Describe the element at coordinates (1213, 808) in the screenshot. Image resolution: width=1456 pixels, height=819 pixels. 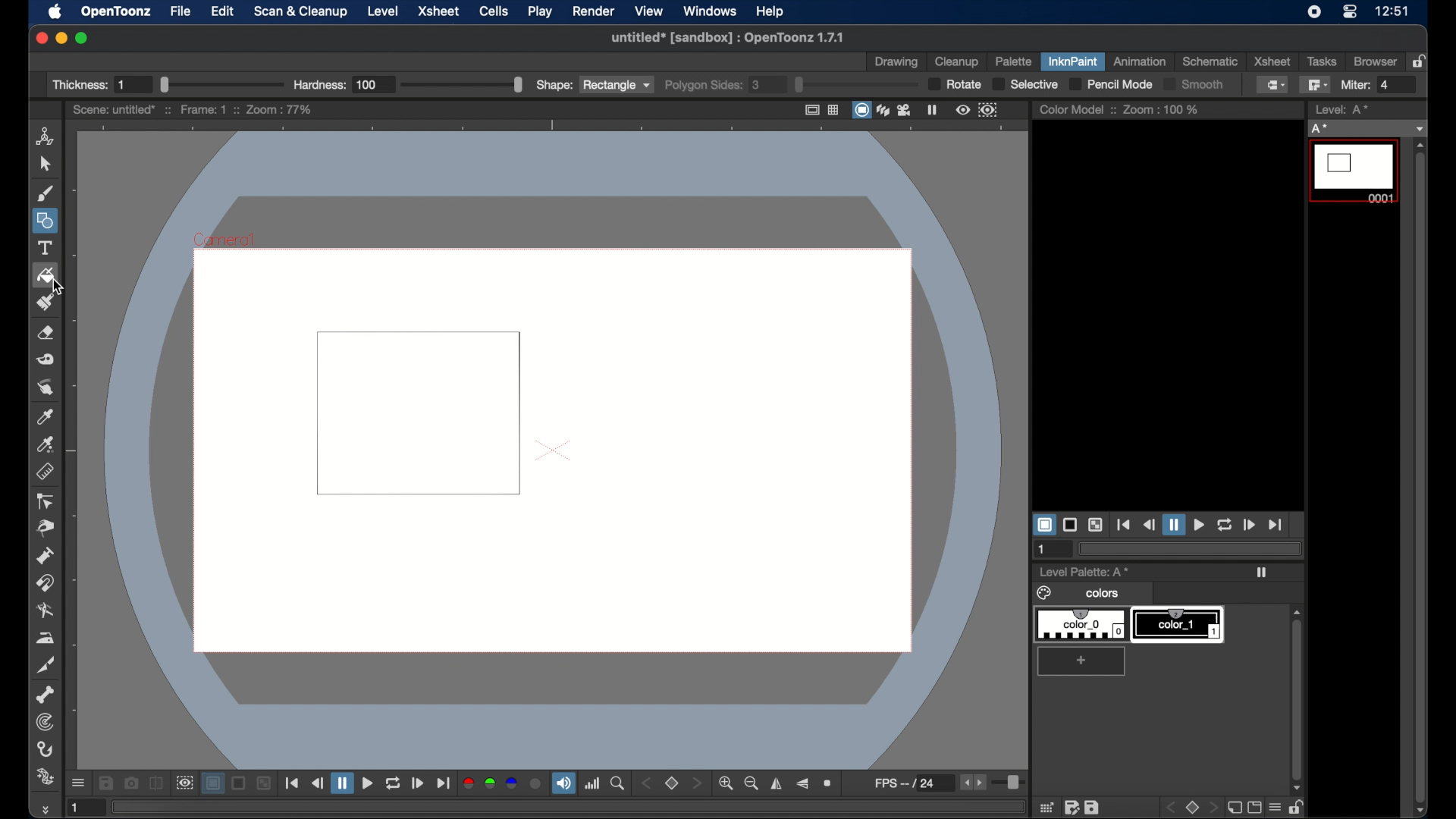
I see `front` at that location.